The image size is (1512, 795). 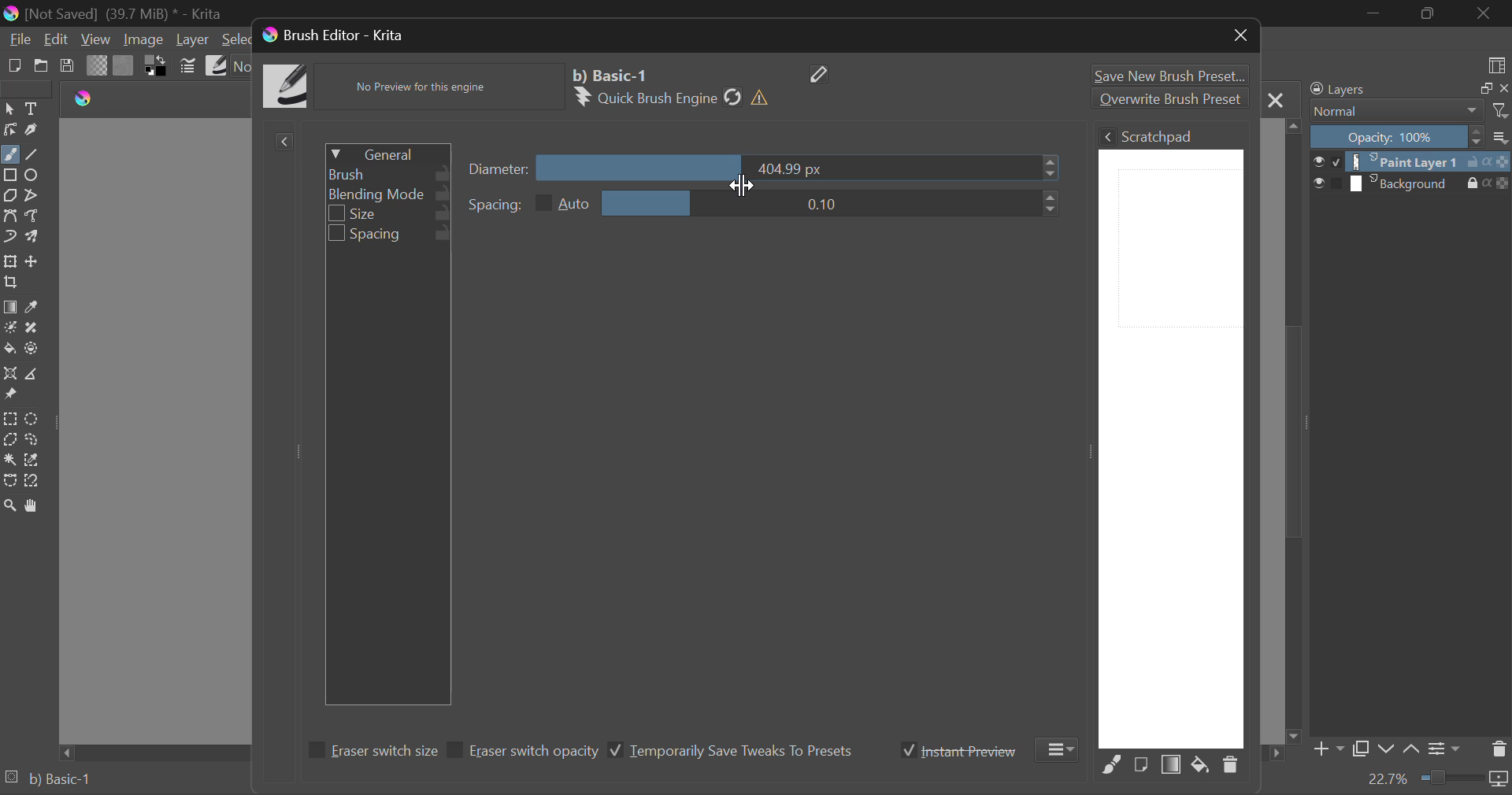 What do you see at coordinates (387, 173) in the screenshot?
I see `Brush` at bounding box center [387, 173].